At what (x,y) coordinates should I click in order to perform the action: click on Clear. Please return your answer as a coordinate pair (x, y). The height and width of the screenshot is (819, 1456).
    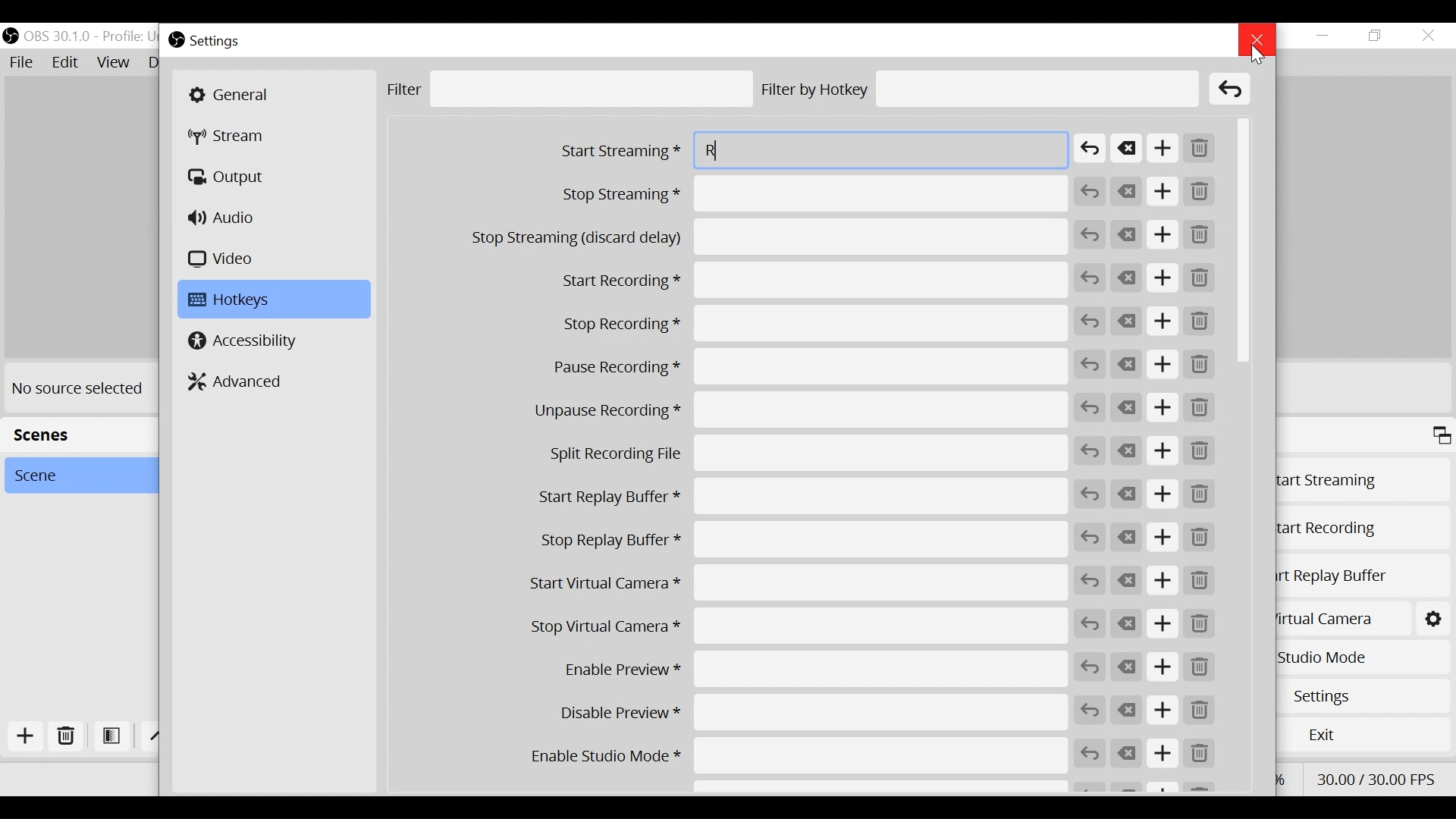
    Looking at the image, I should click on (1128, 407).